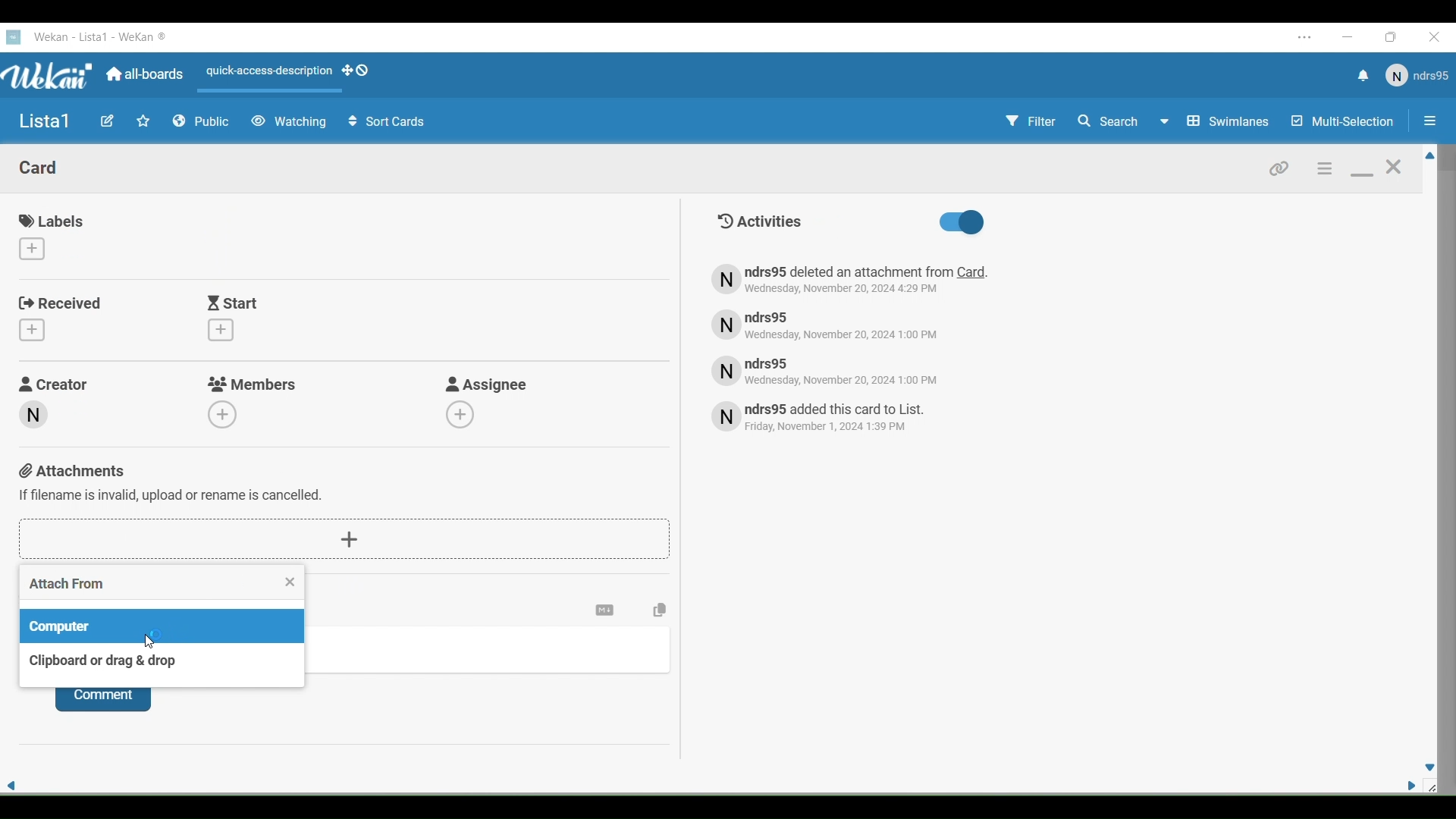  What do you see at coordinates (56, 382) in the screenshot?
I see `Creator` at bounding box center [56, 382].